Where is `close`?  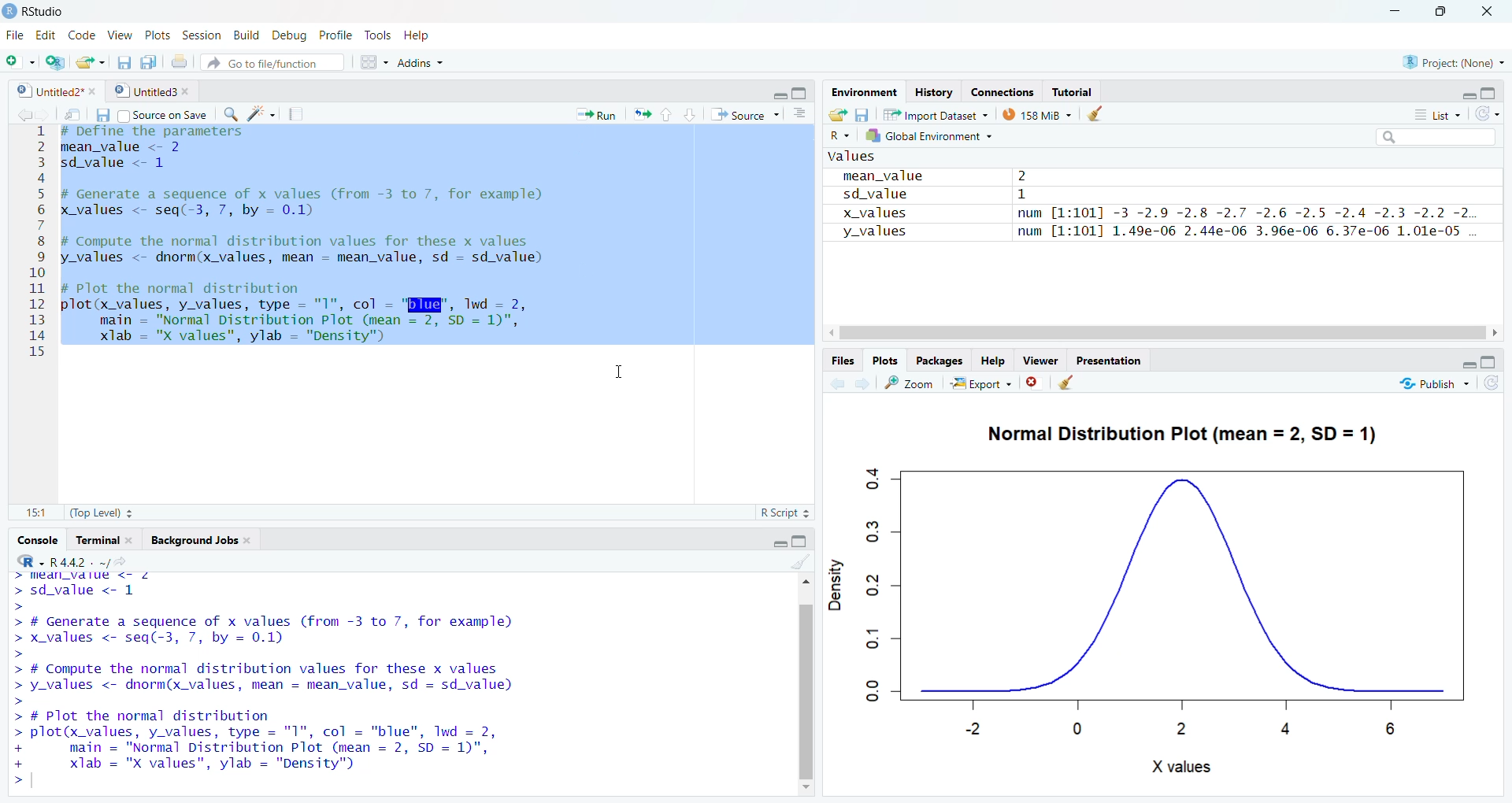
close is located at coordinates (1492, 12).